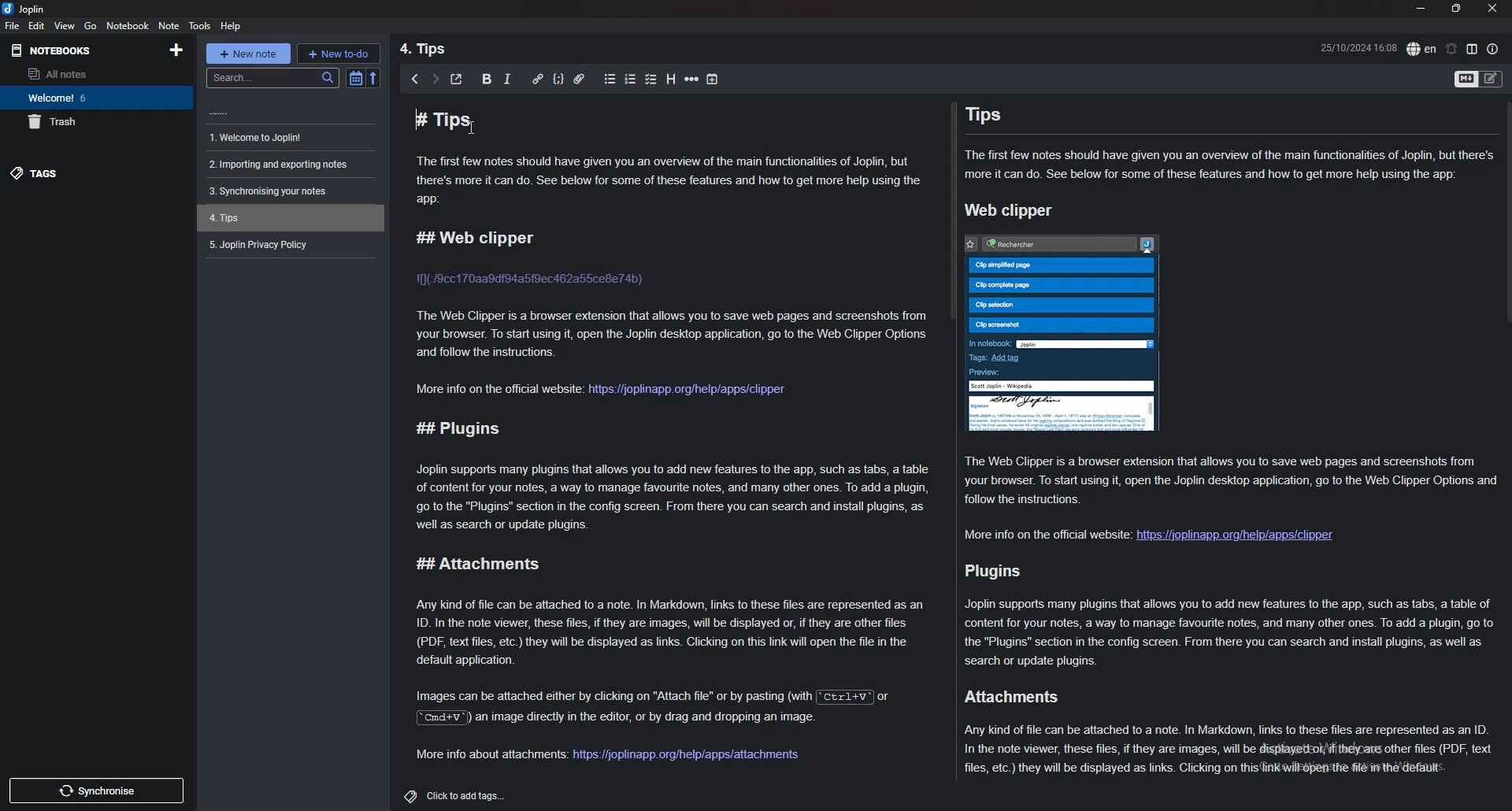 This screenshot has height=811, width=1512. Describe the element at coordinates (1422, 9) in the screenshot. I see `minimize` at that location.